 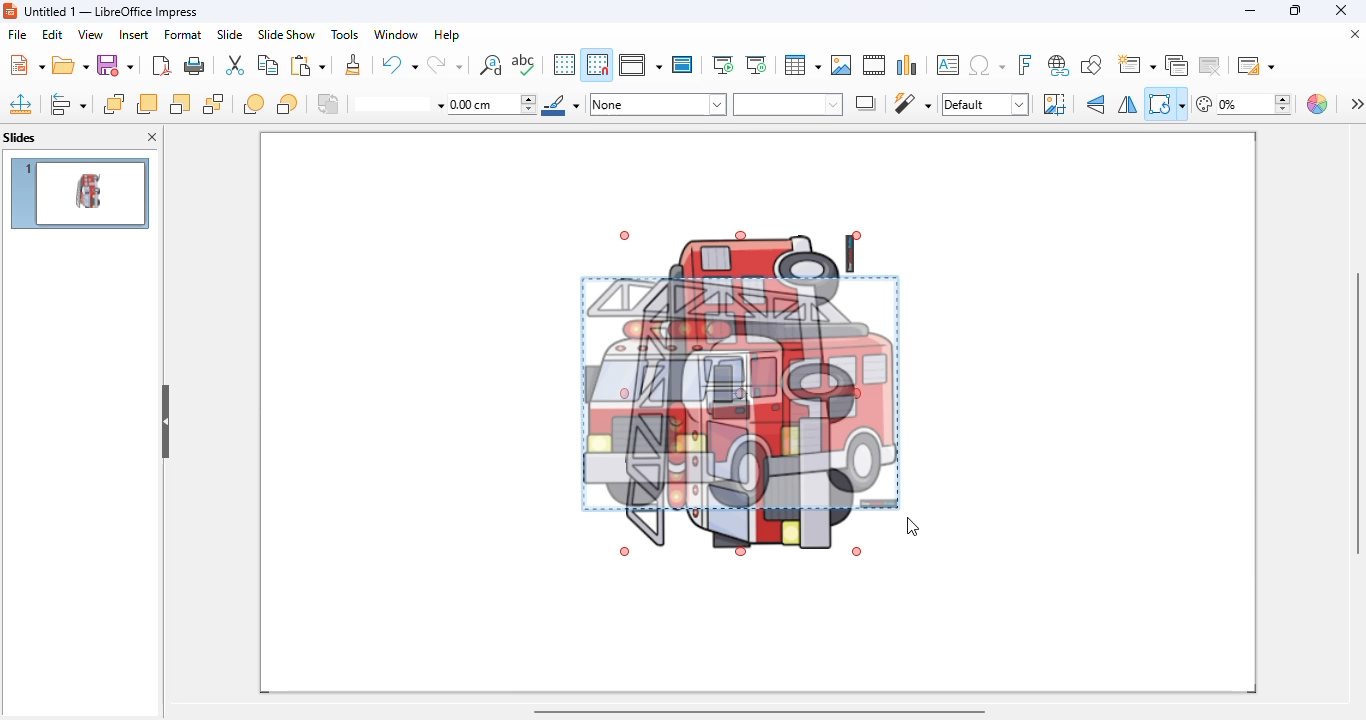 What do you see at coordinates (1127, 105) in the screenshot?
I see `horizontally` at bounding box center [1127, 105].